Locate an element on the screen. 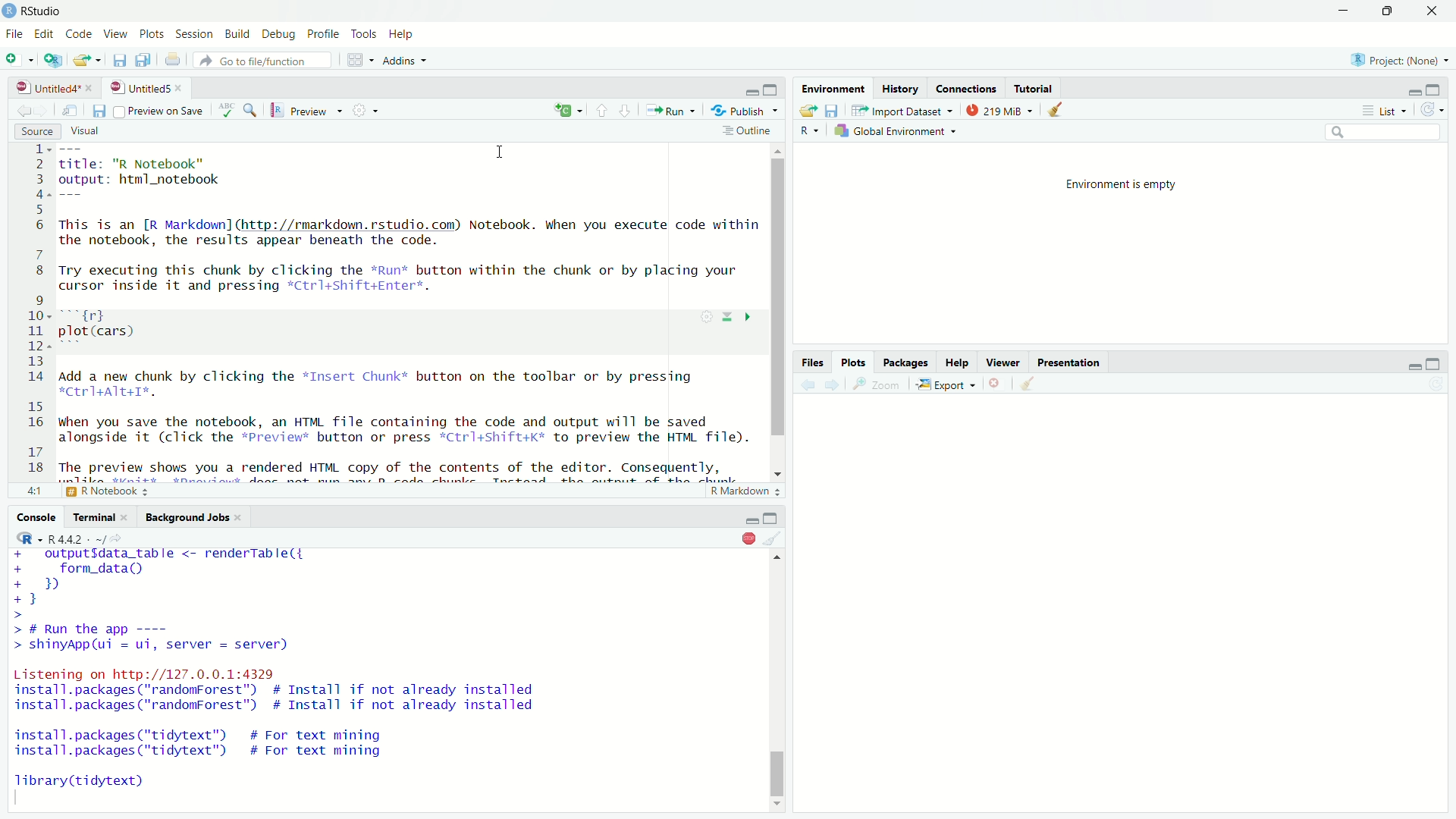  Untitled5 is located at coordinates (150, 88).